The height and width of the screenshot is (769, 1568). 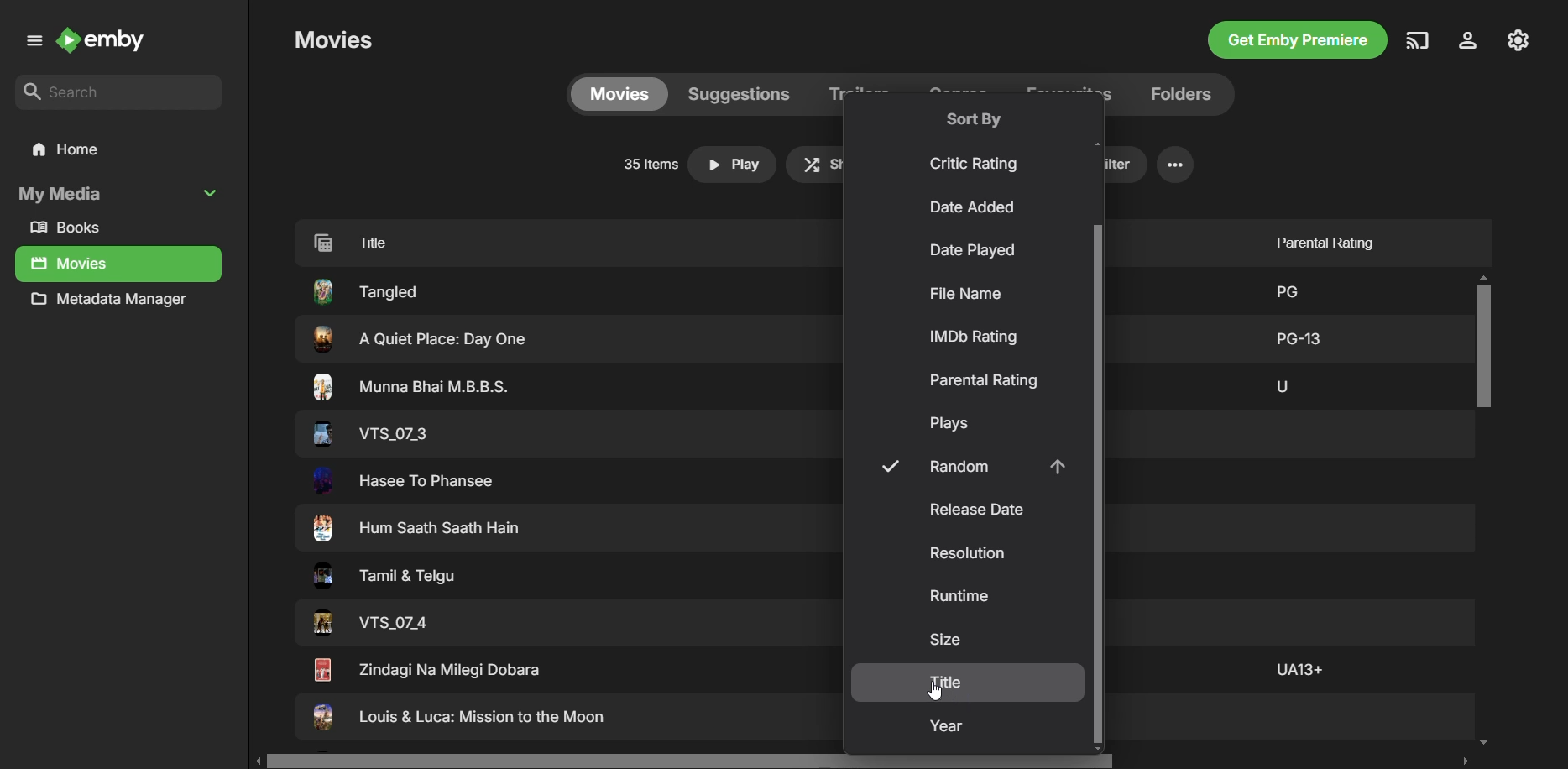 What do you see at coordinates (733, 165) in the screenshot?
I see `Play` at bounding box center [733, 165].